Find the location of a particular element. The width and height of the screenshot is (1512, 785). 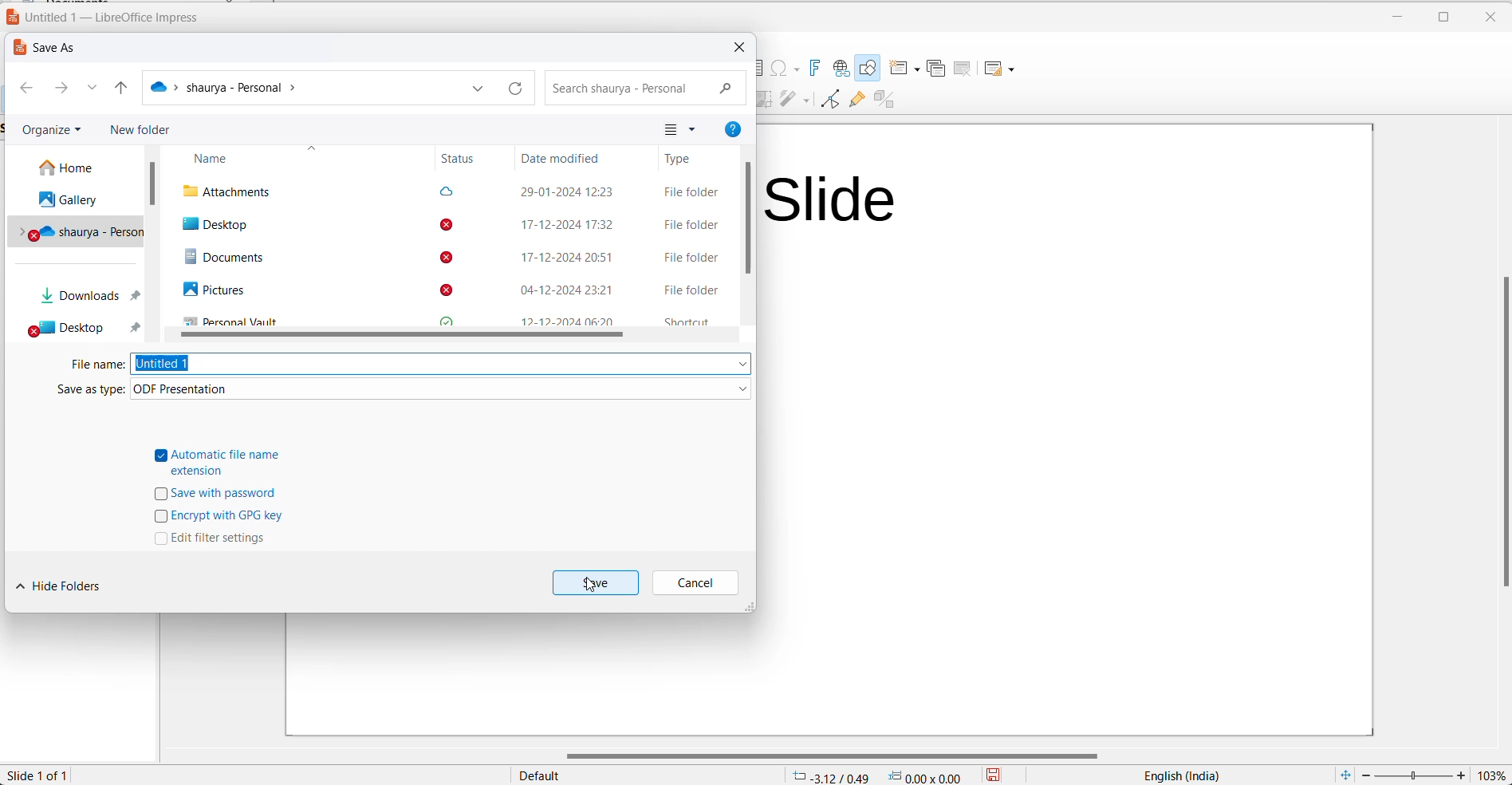

DATE MODIFIED LABEL is located at coordinates (565, 158).